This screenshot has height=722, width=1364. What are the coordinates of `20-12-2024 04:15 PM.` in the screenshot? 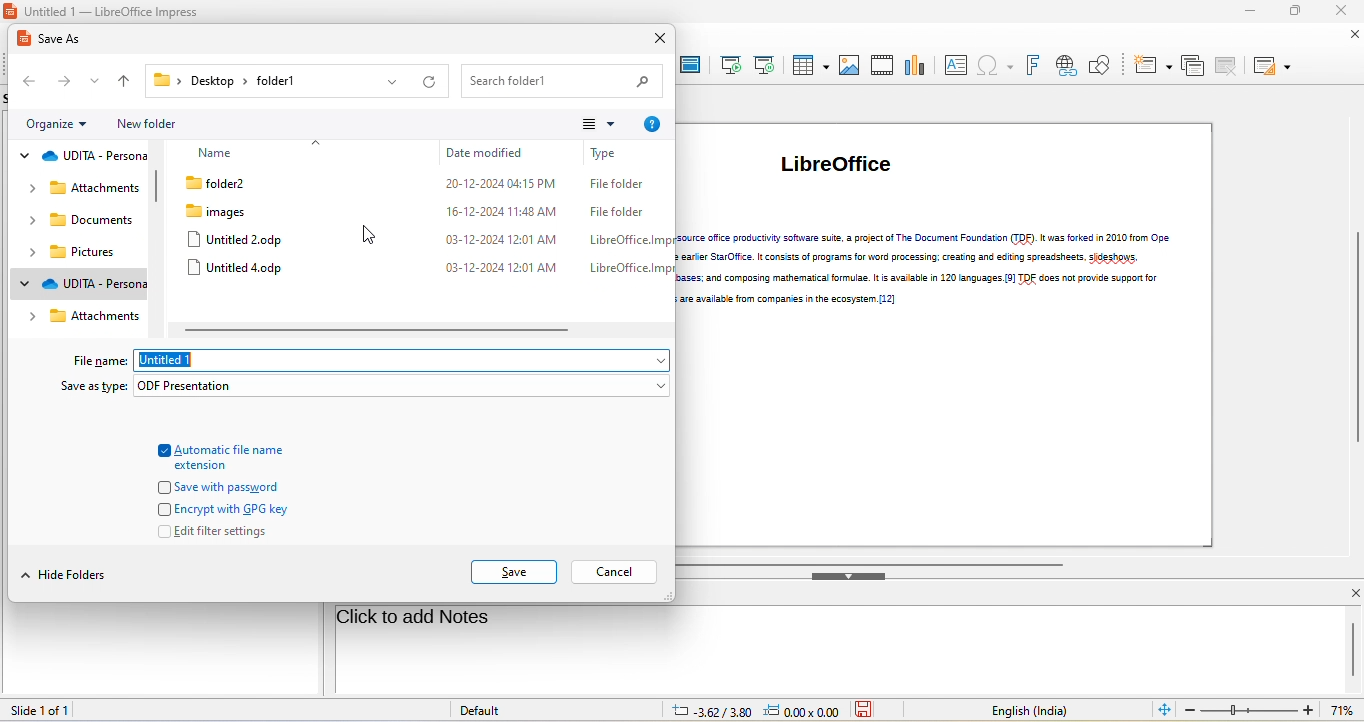 It's located at (488, 185).